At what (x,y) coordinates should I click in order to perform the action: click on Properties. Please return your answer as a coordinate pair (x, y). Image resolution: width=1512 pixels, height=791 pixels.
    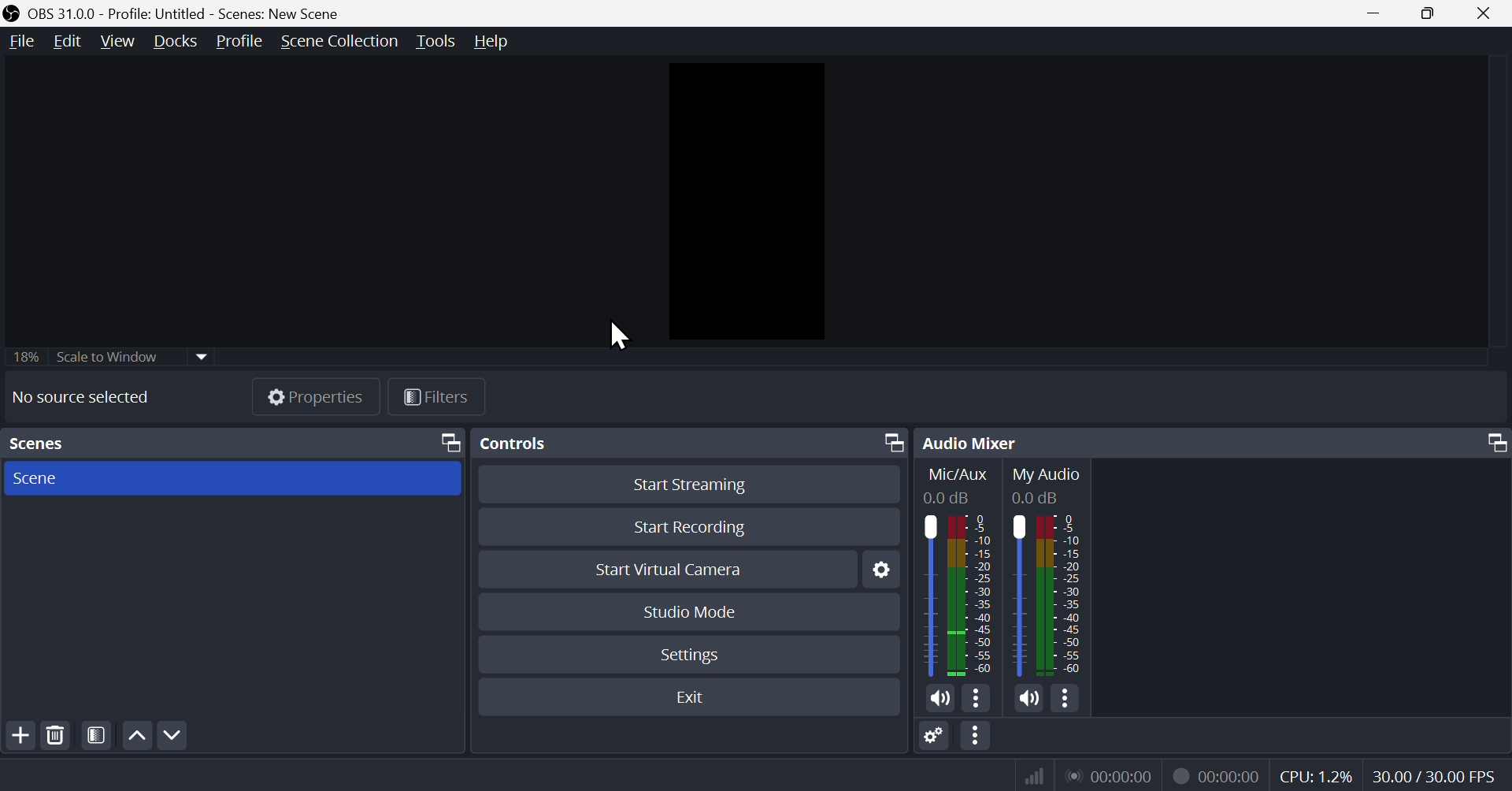
    Looking at the image, I should click on (311, 392).